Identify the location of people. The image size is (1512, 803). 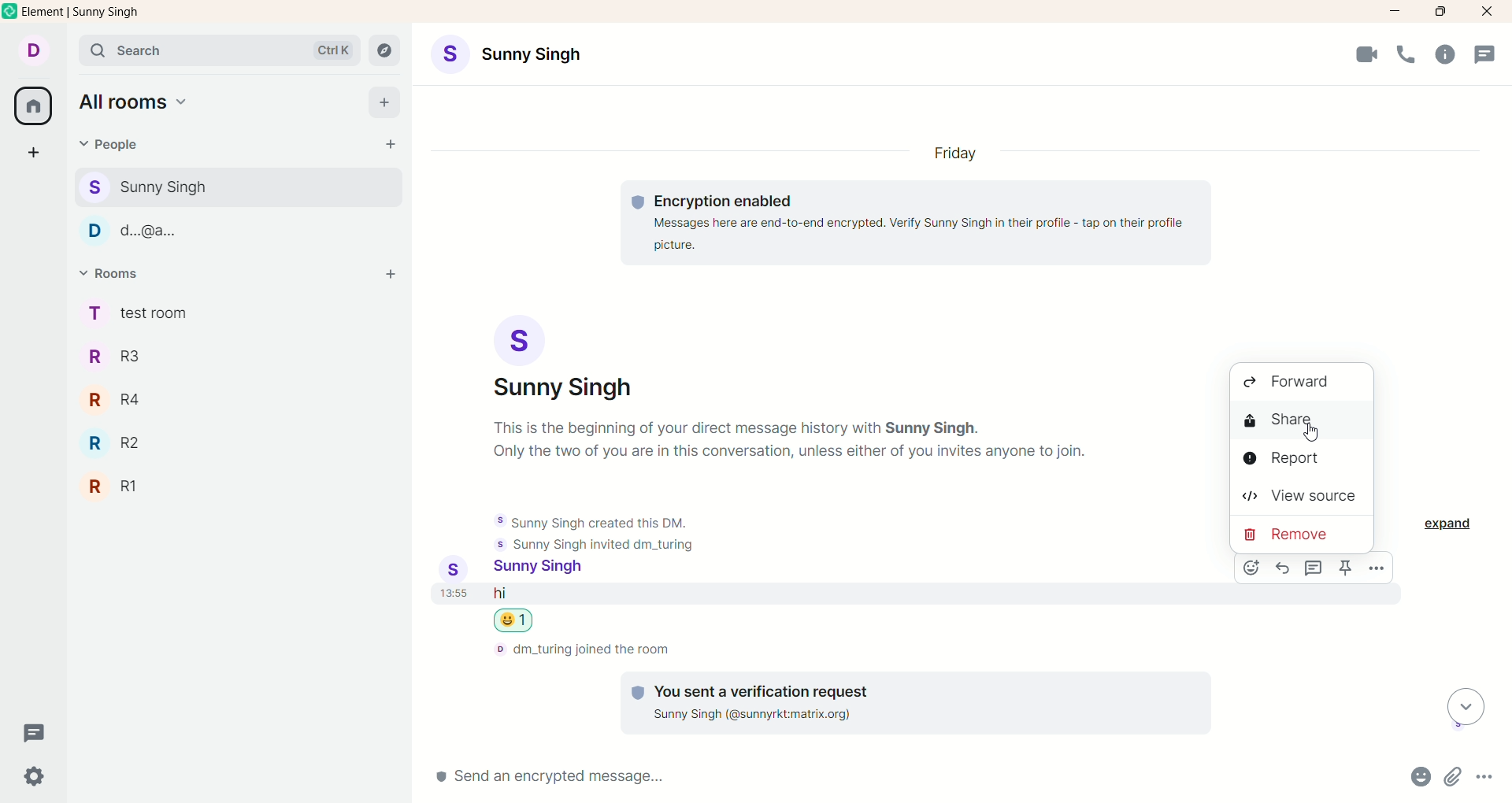
(169, 185).